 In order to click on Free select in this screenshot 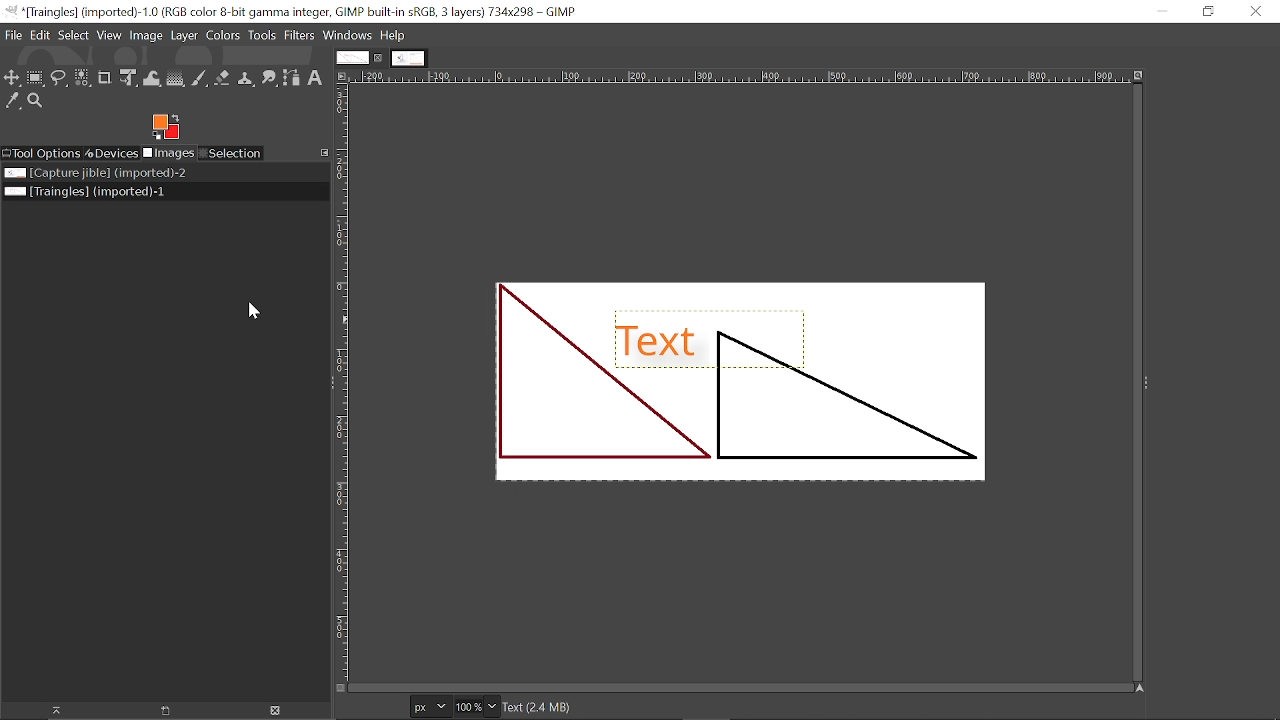, I will do `click(60, 77)`.